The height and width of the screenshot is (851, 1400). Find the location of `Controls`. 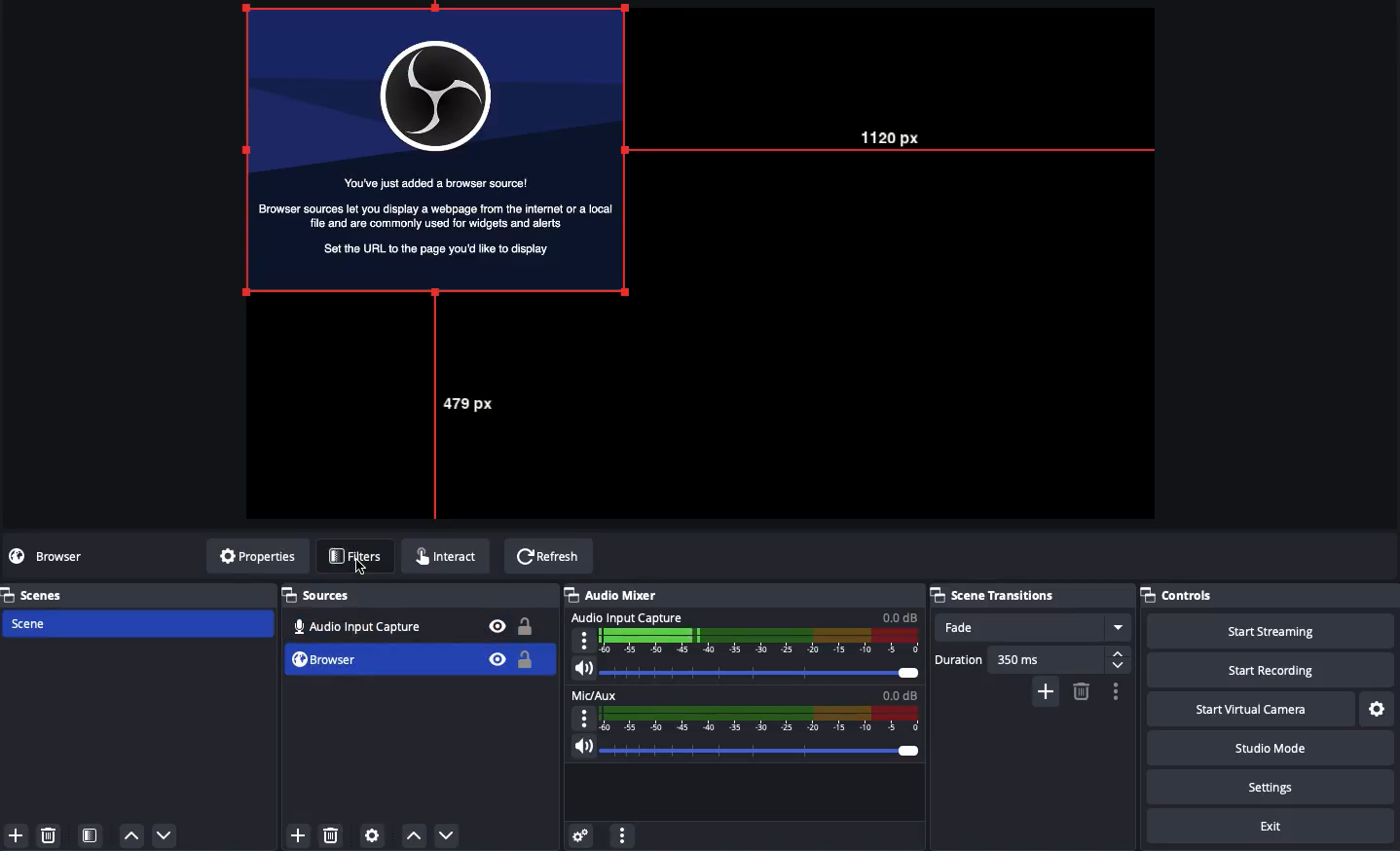

Controls is located at coordinates (1268, 595).